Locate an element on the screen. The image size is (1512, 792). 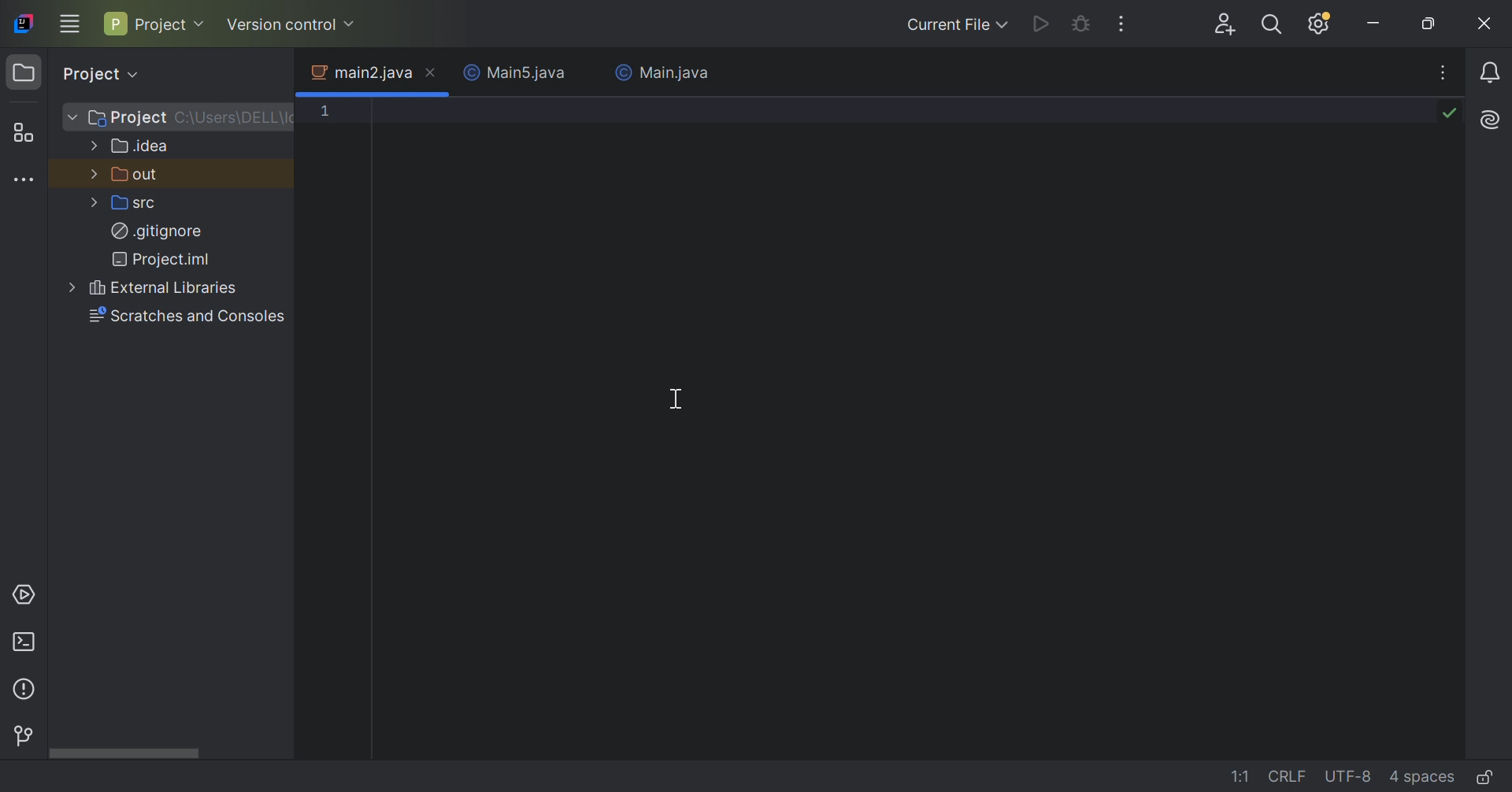
Project is located at coordinates (128, 118).